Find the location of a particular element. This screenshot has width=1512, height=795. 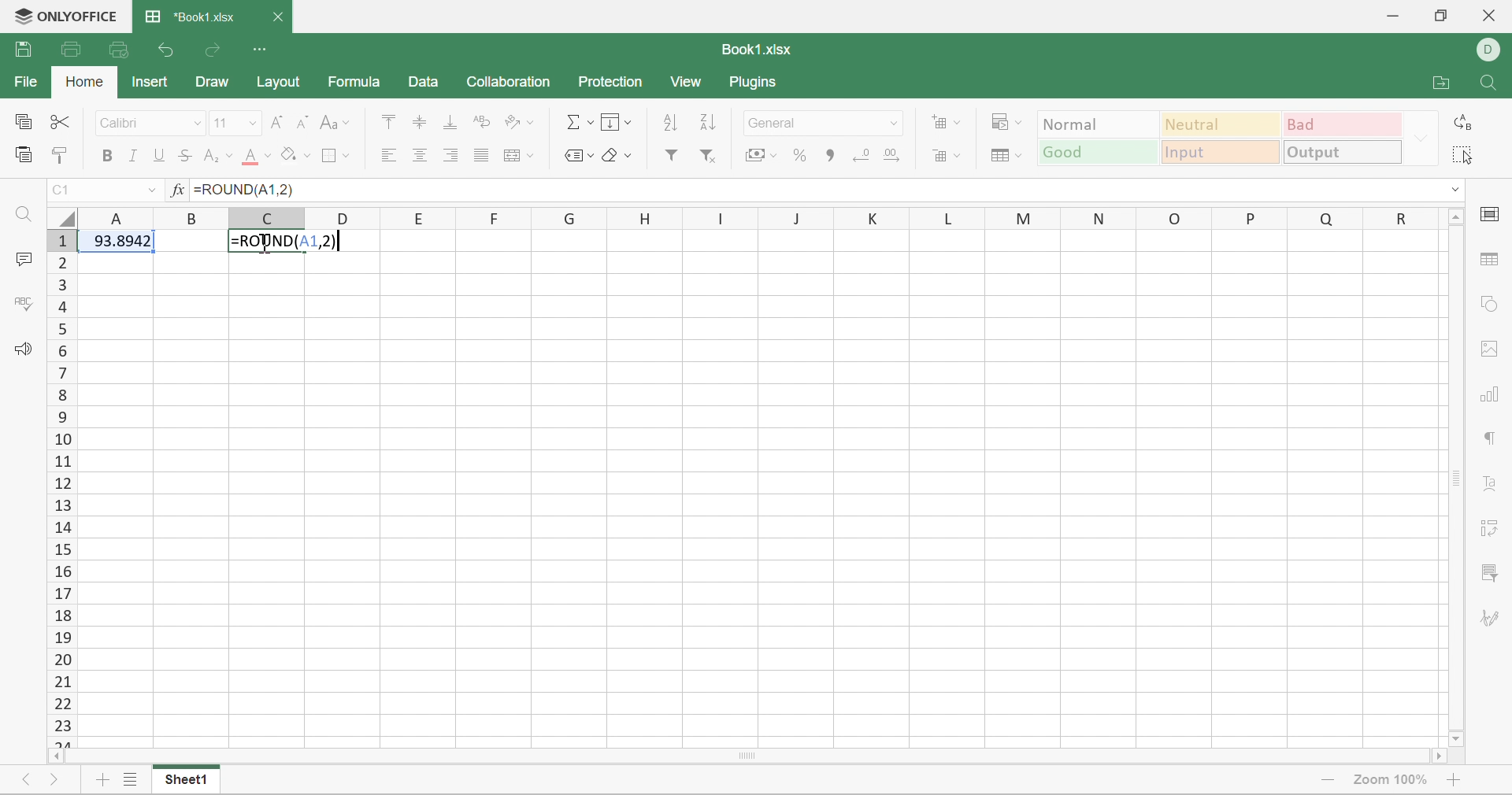

Find is located at coordinates (27, 218).